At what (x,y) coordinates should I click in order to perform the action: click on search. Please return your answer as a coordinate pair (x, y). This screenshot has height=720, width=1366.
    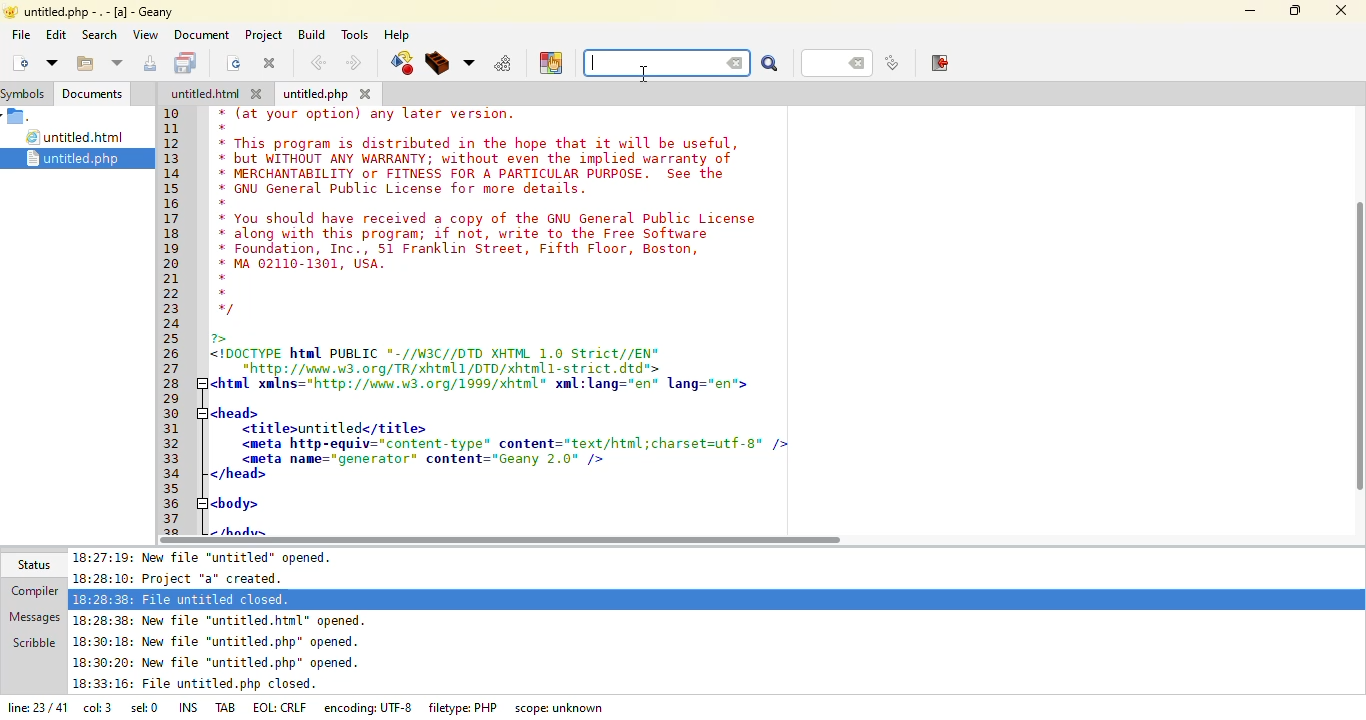
    Looking at the image, I should click on (99, 35).